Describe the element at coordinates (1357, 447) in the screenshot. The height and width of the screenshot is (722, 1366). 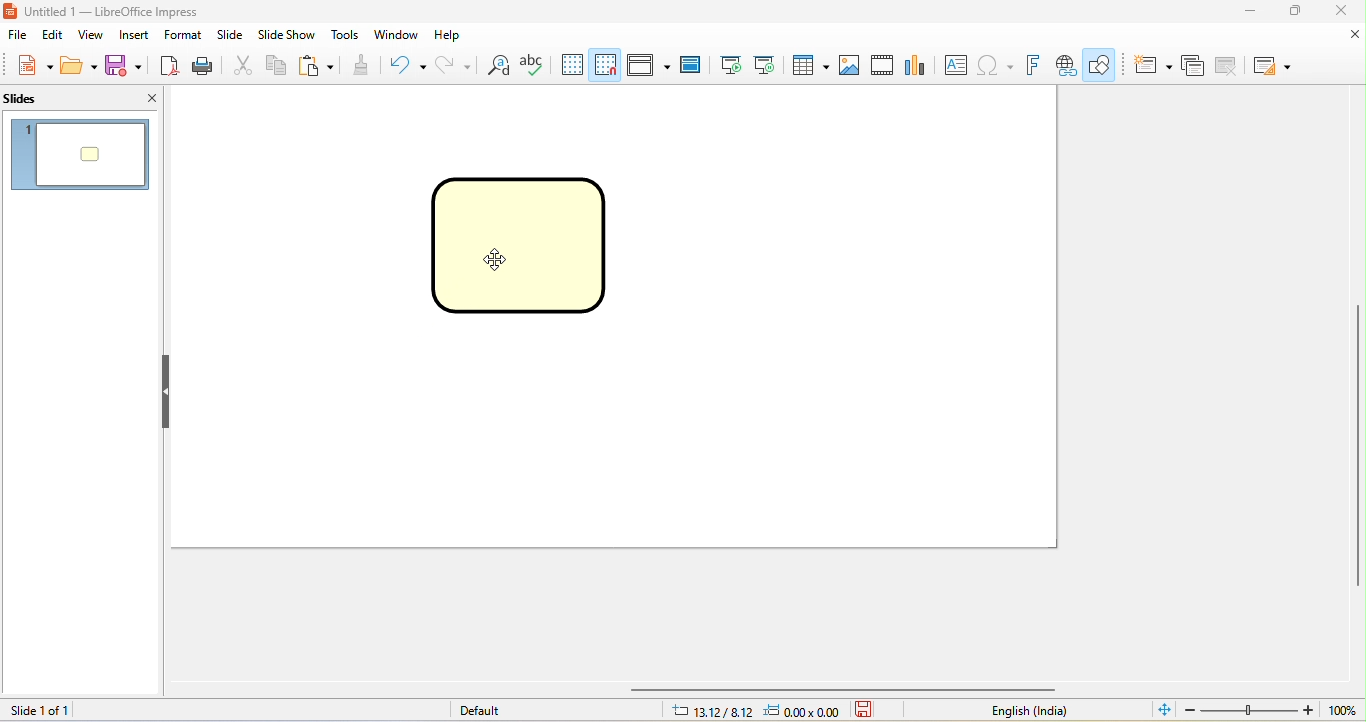
I see `vertical scroll bar` at that location.